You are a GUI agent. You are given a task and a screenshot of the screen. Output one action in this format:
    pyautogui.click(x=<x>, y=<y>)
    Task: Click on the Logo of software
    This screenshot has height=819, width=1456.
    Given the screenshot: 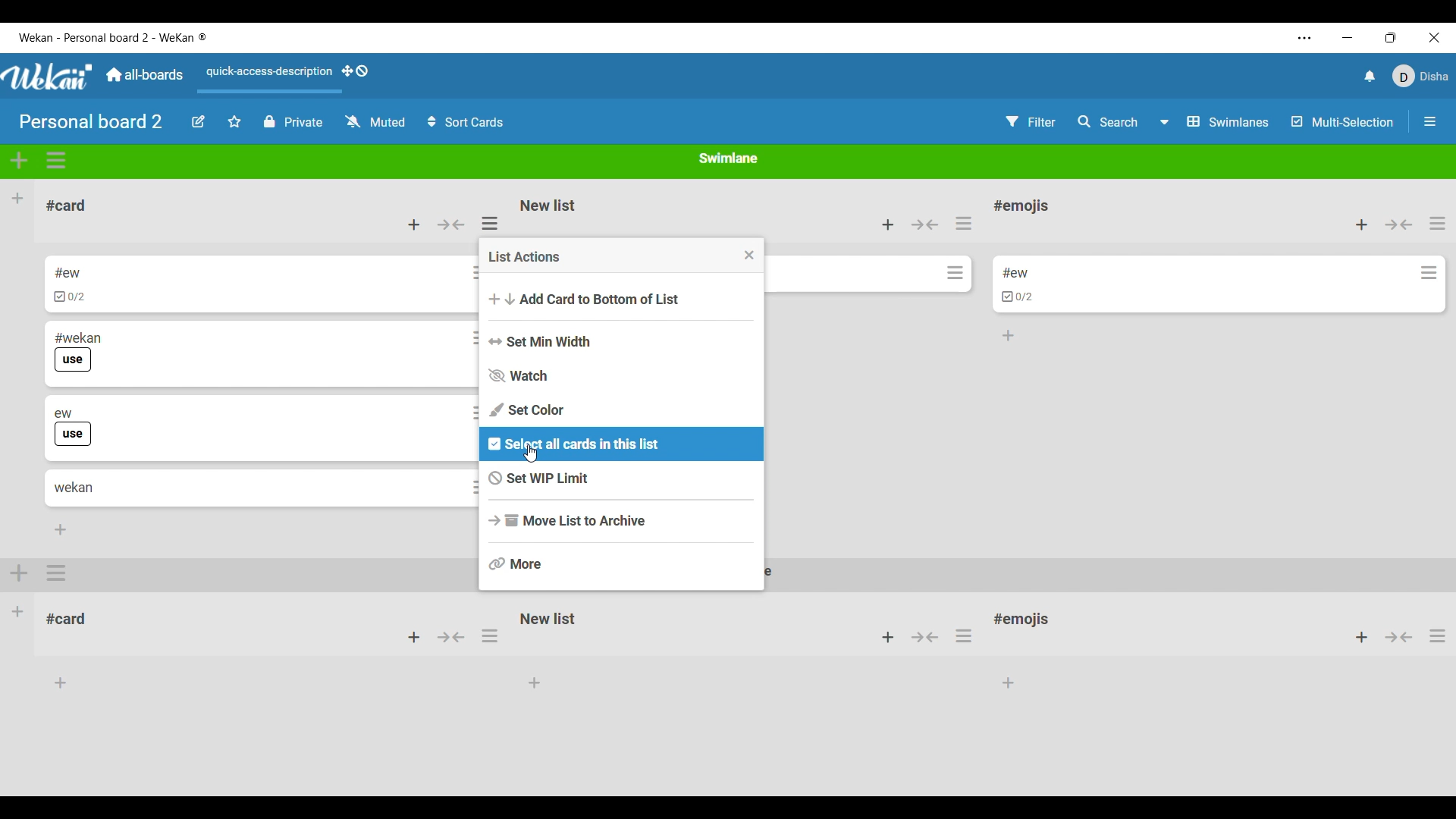 What is the action you would take?
    pyautogui.click(x=48, y=77)
    